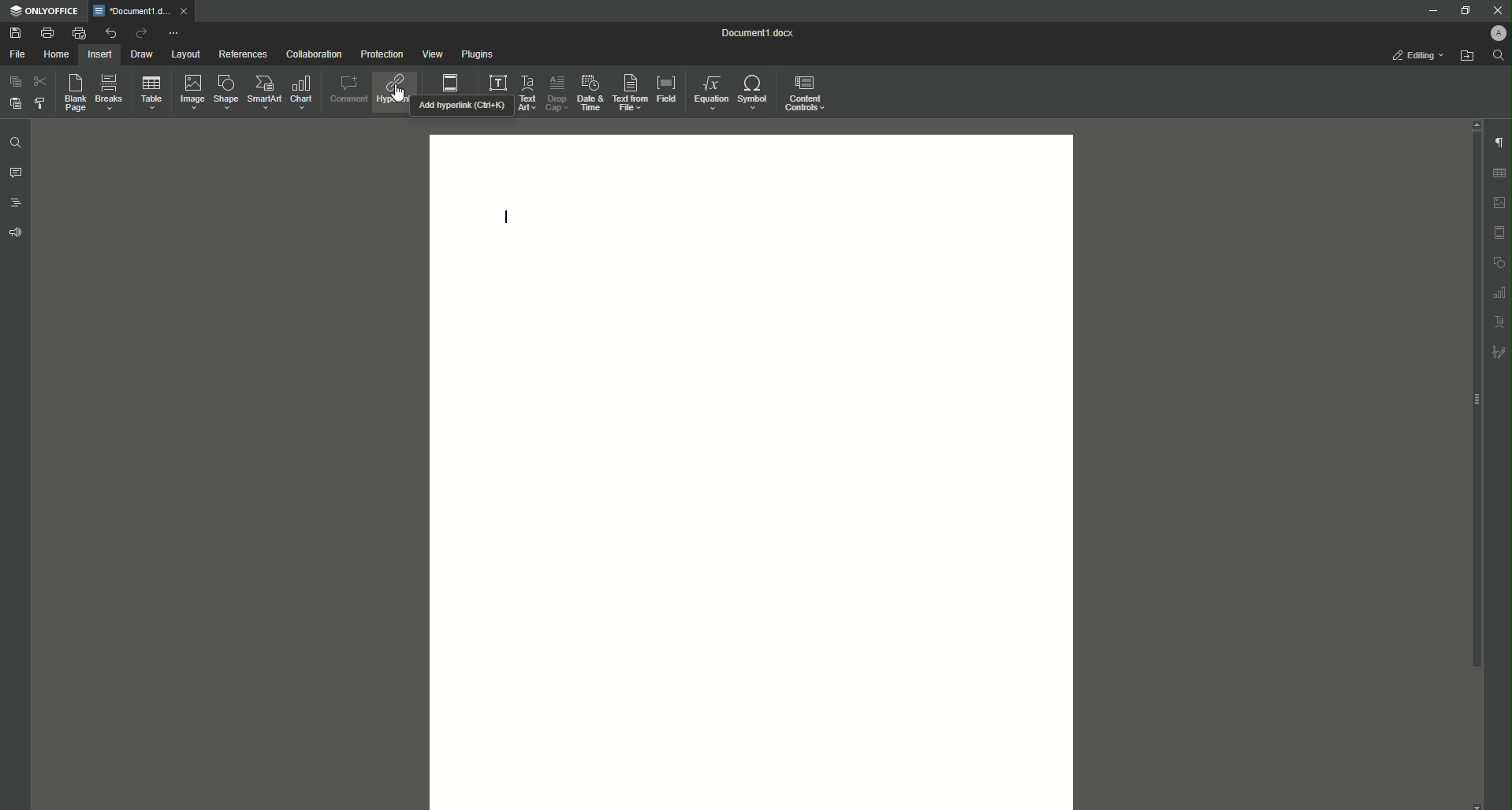  I want to click on Home, so click(58, 54).